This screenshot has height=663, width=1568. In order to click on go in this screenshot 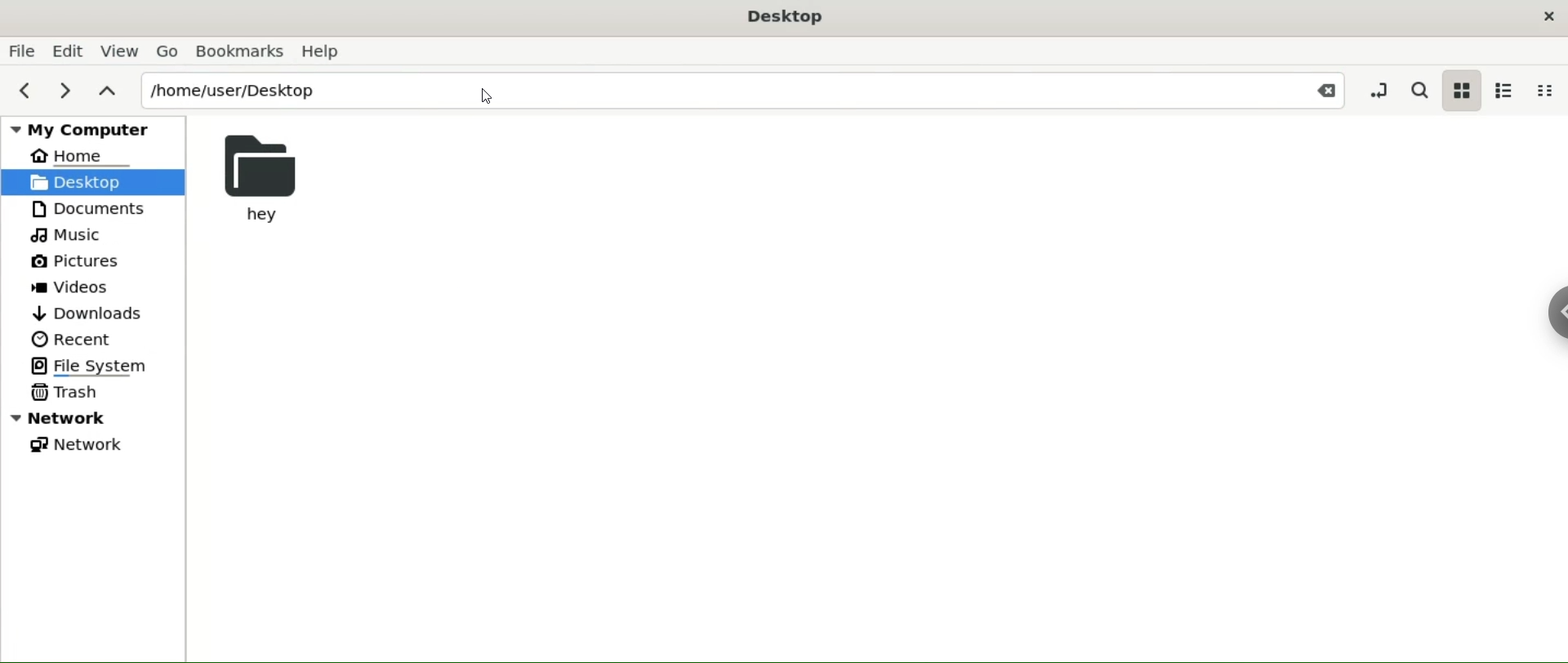, I will do `click(168, 51)`.